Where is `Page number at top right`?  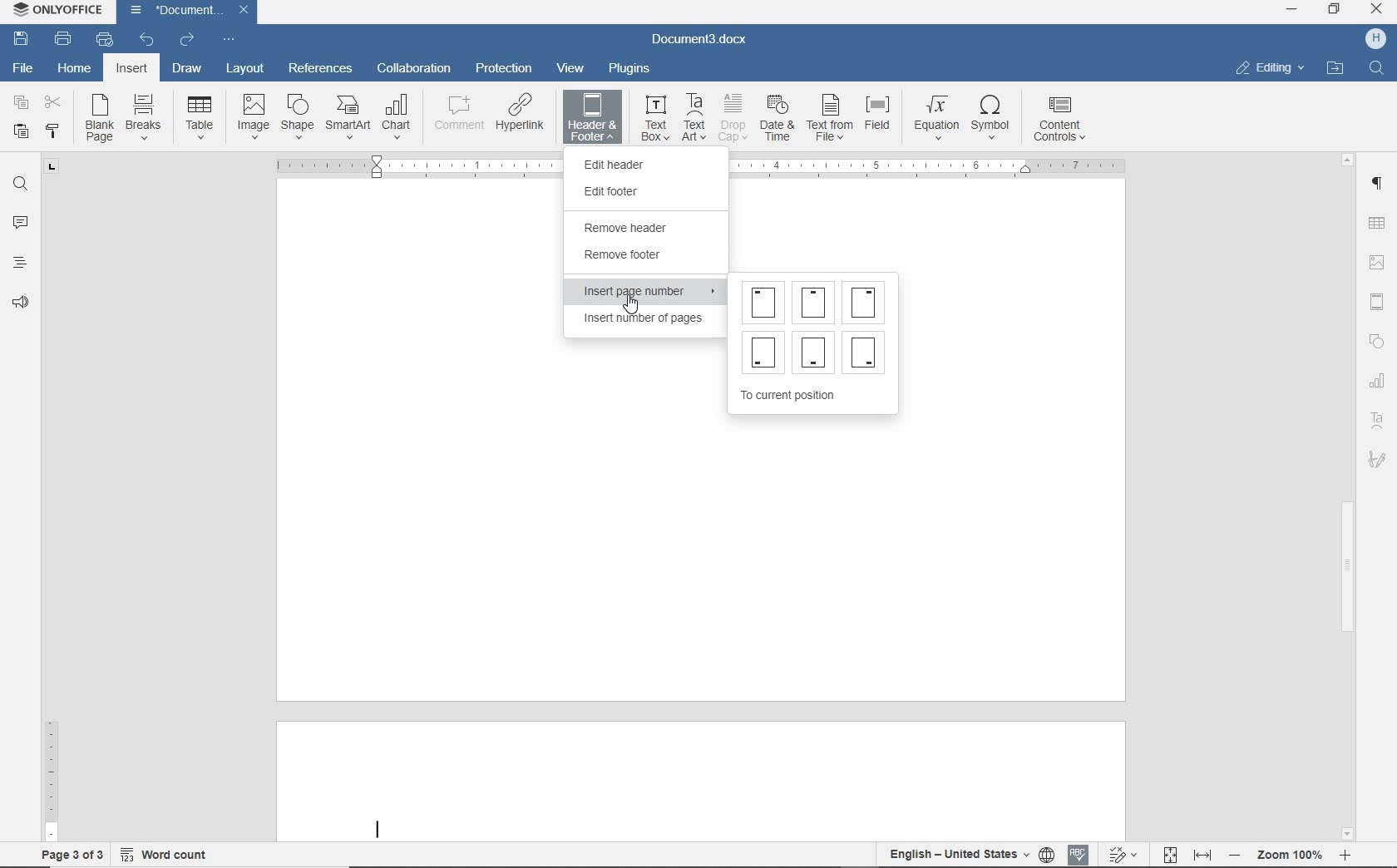
Page number at top right is located at coordinates (867, 301).